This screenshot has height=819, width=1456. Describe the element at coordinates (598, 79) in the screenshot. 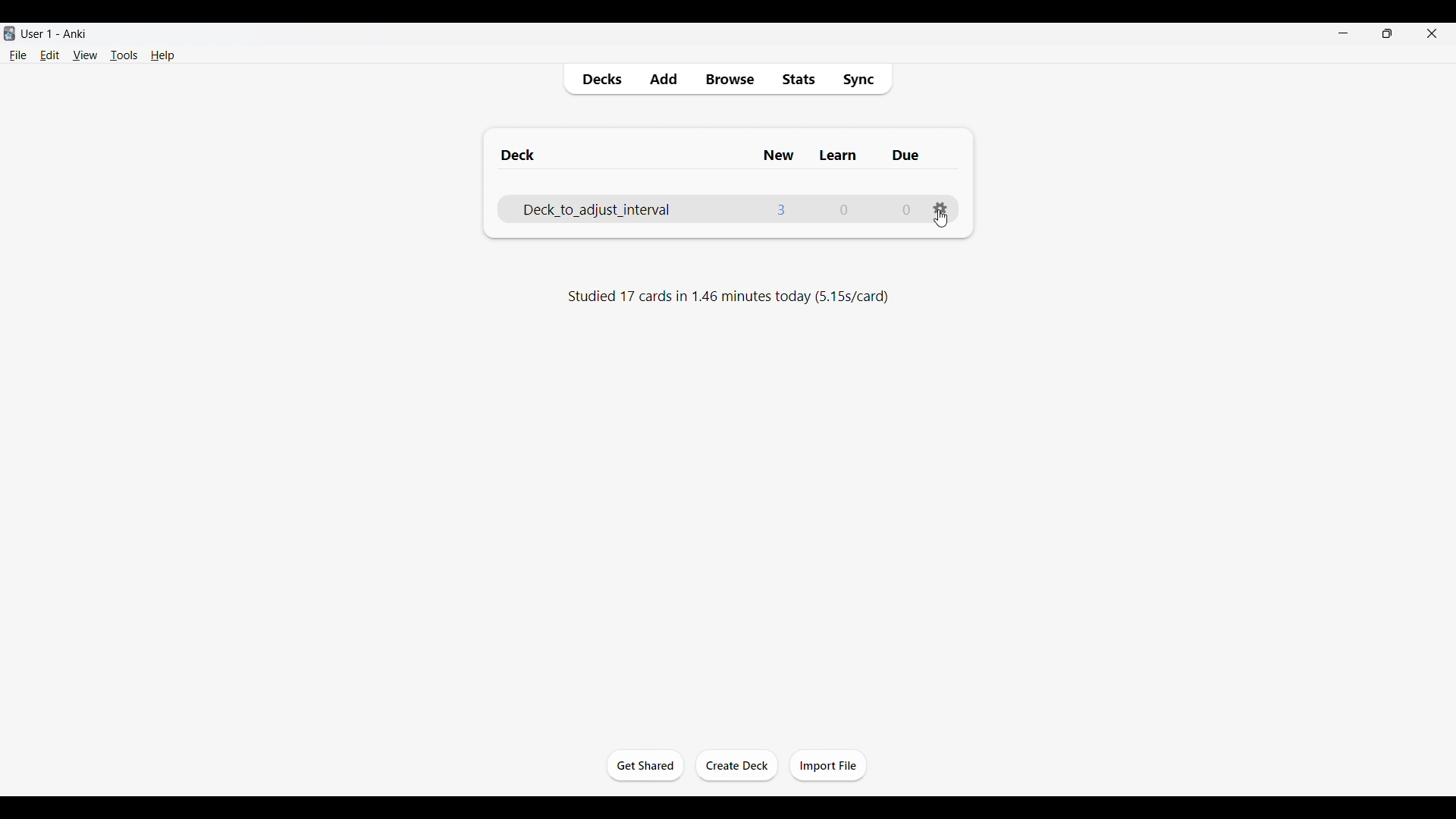

I see `Decks` at that location.